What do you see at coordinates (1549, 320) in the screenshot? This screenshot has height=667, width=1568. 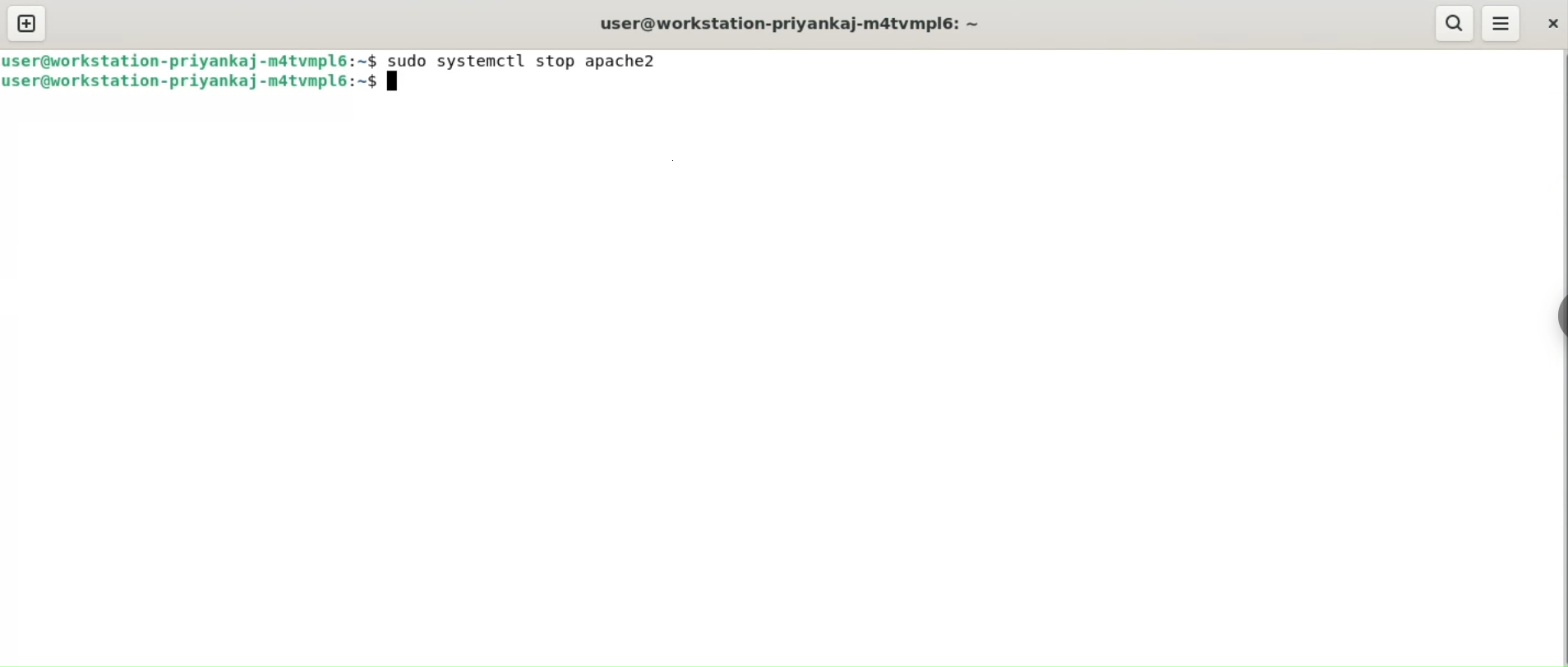 I see `chrome options` at bounding box center [1549, 320].